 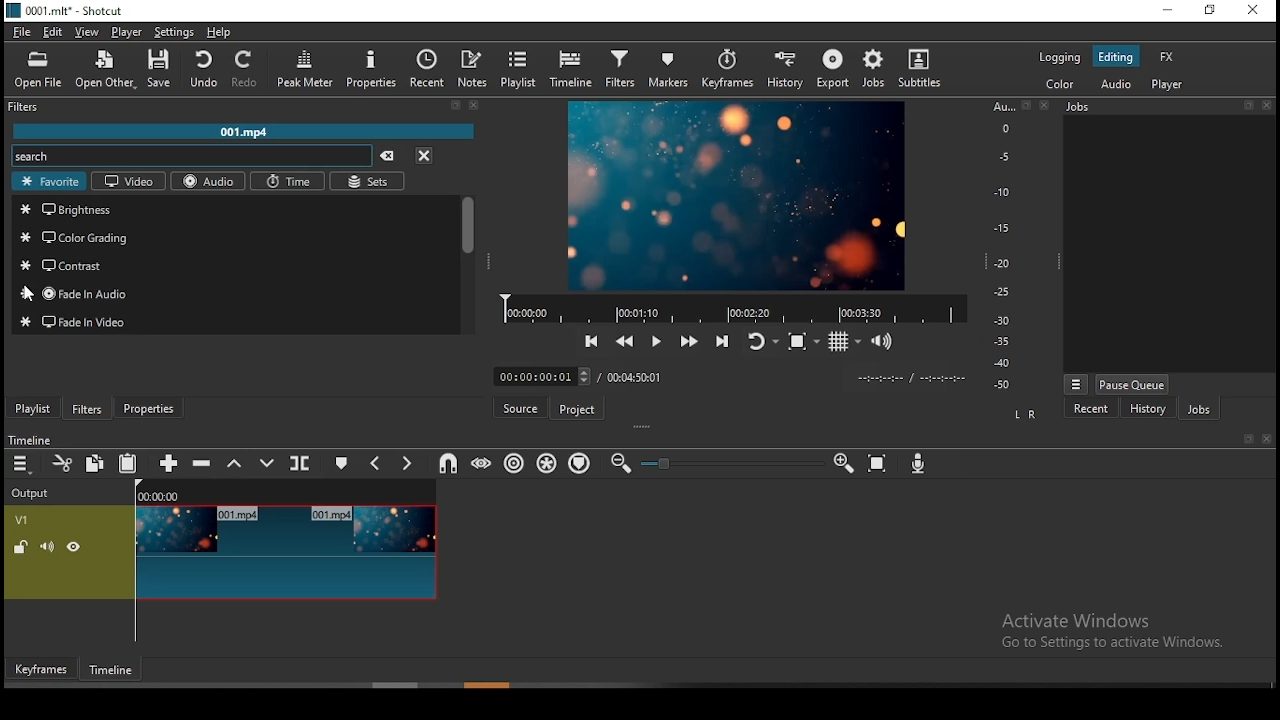 What do you see at coordinates (578, 410) in the screenshot?
I see `project` at bounding box center [578, 410].